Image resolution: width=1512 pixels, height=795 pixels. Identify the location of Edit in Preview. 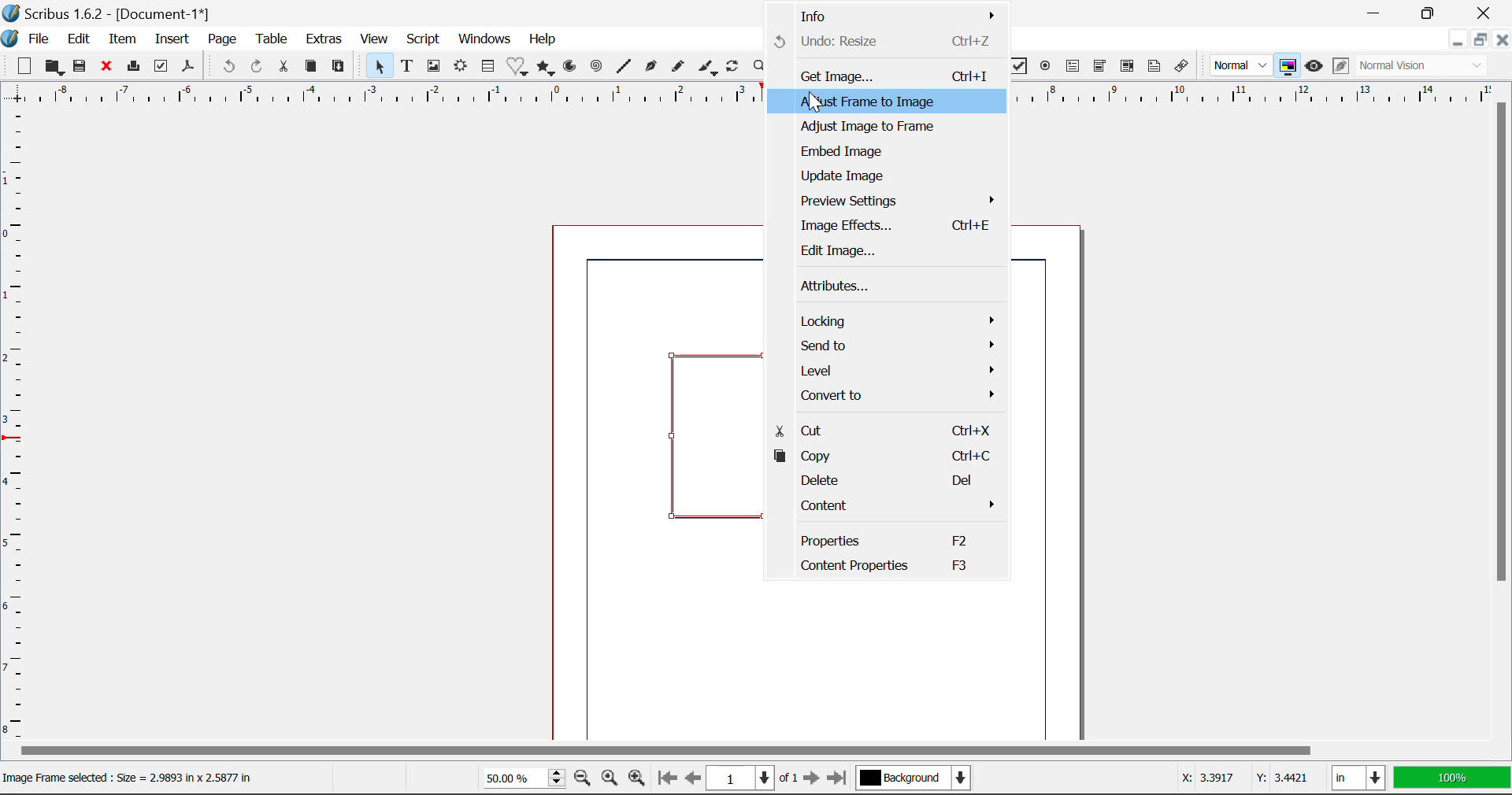
(1339, 68).